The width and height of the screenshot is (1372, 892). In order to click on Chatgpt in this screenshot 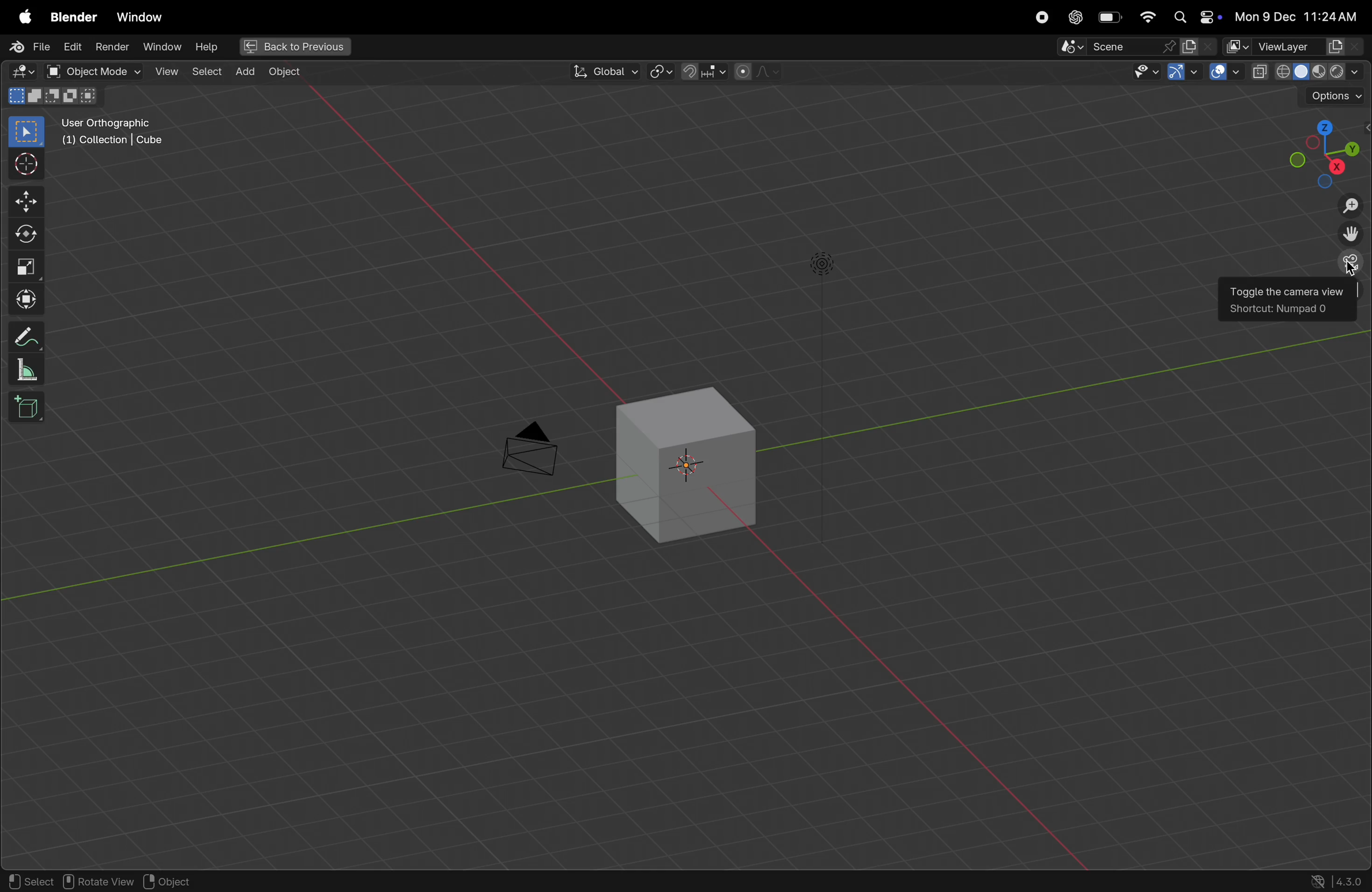, I will do `click(1076, 17)`.